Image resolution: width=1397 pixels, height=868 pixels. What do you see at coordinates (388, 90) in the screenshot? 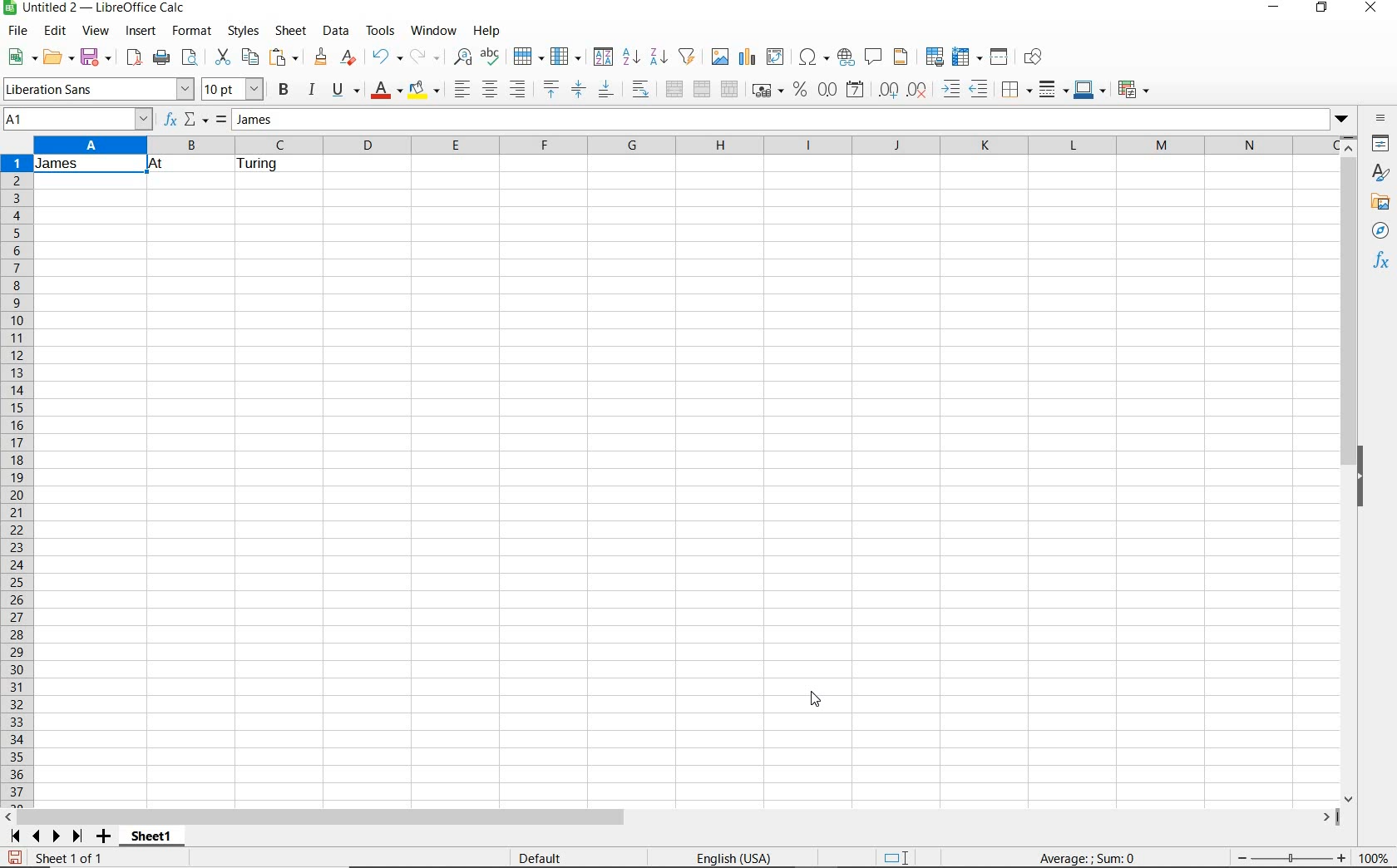
I see `font color dark` at bounding box center [388, 90].